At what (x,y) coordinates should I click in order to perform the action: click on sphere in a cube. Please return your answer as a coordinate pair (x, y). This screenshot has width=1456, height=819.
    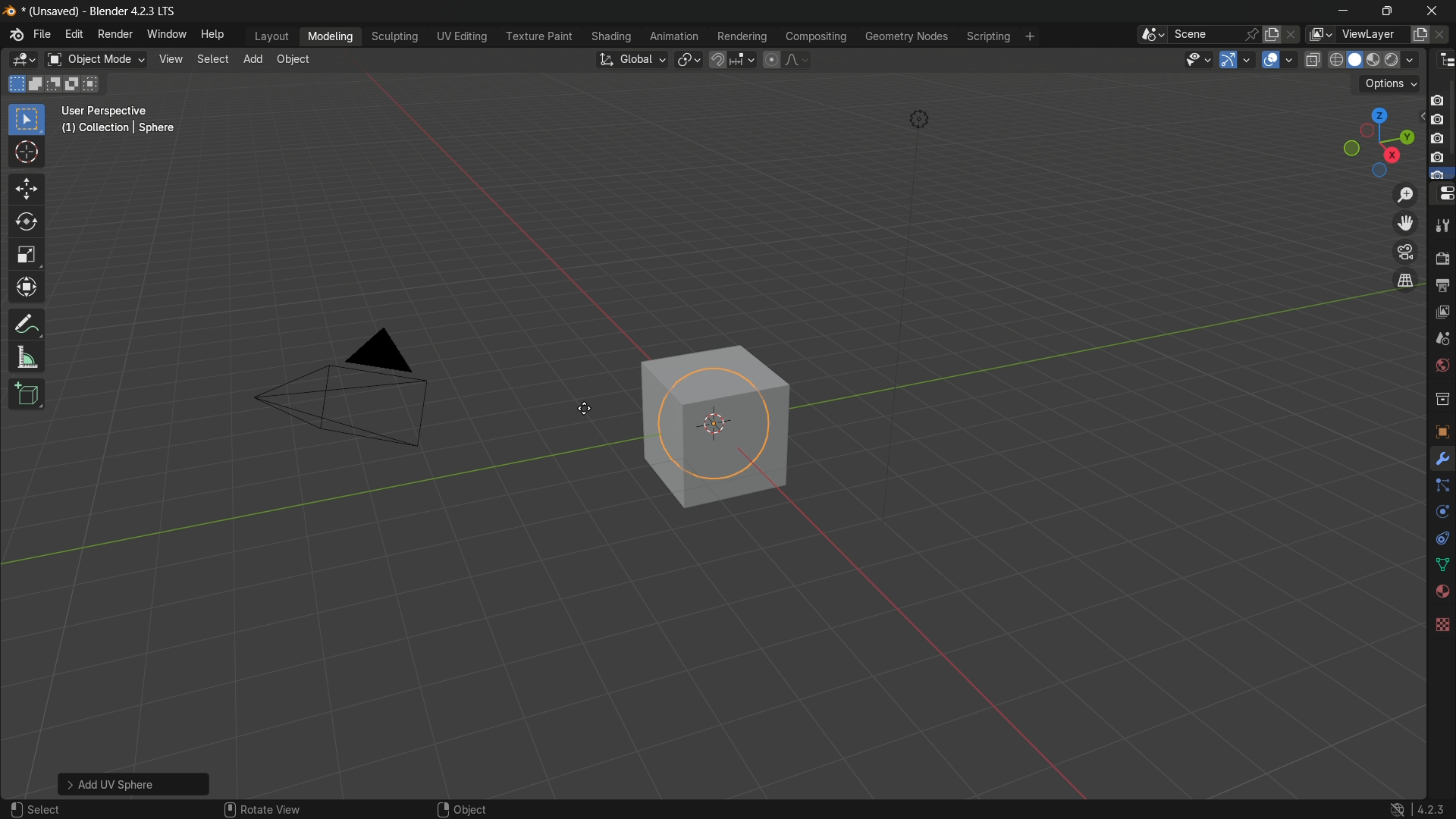
    Looking at the image, I should click on (716, 421).